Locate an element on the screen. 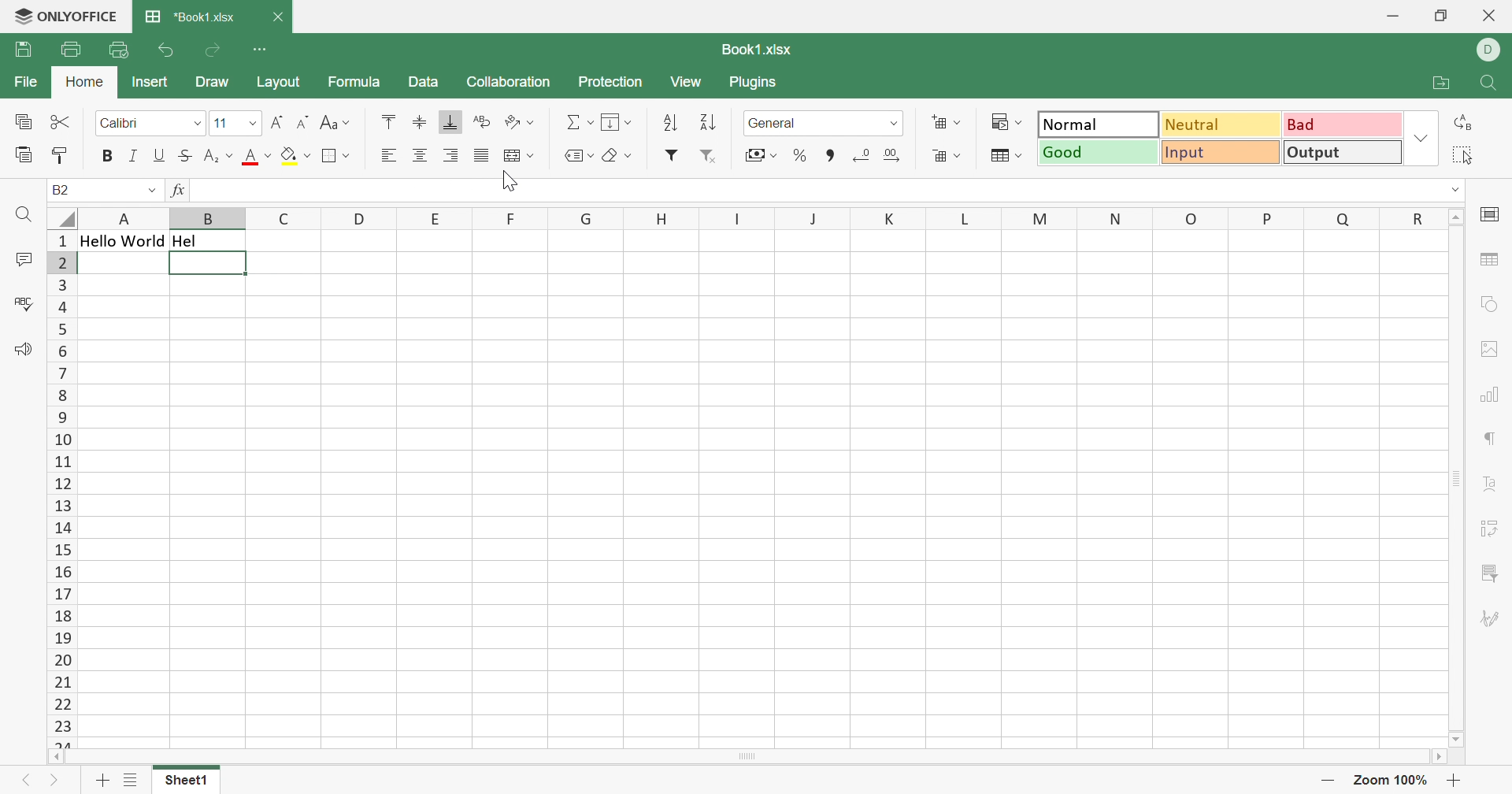 Image resolution: width=1512 pixels, height=794 pixels. Find is located at coordinates (1493, 84).